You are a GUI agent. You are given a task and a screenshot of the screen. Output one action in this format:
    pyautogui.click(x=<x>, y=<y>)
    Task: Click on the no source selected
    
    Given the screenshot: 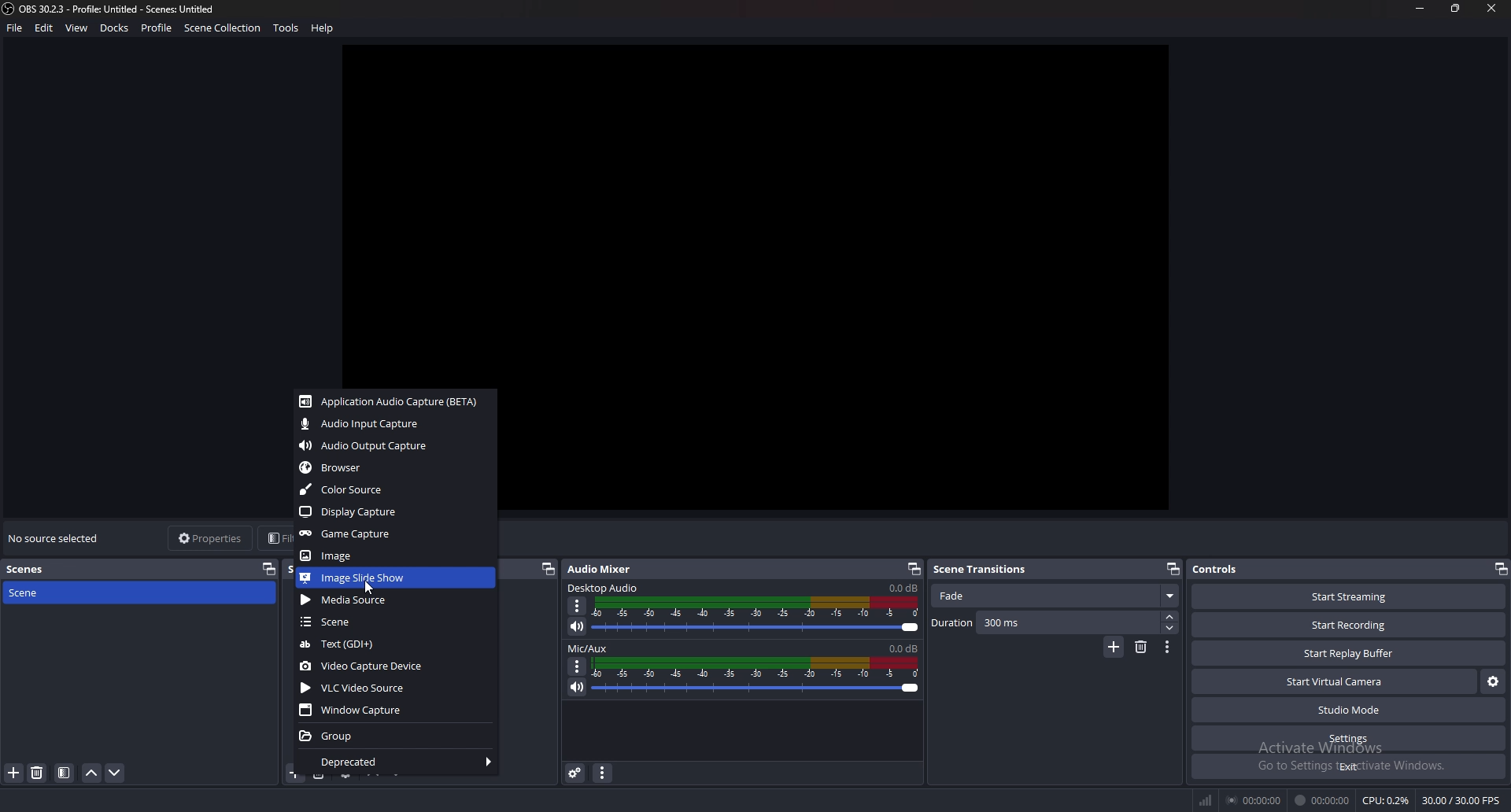 What is the action you would take?
    pyautogui.click(x=54, y=539)
    